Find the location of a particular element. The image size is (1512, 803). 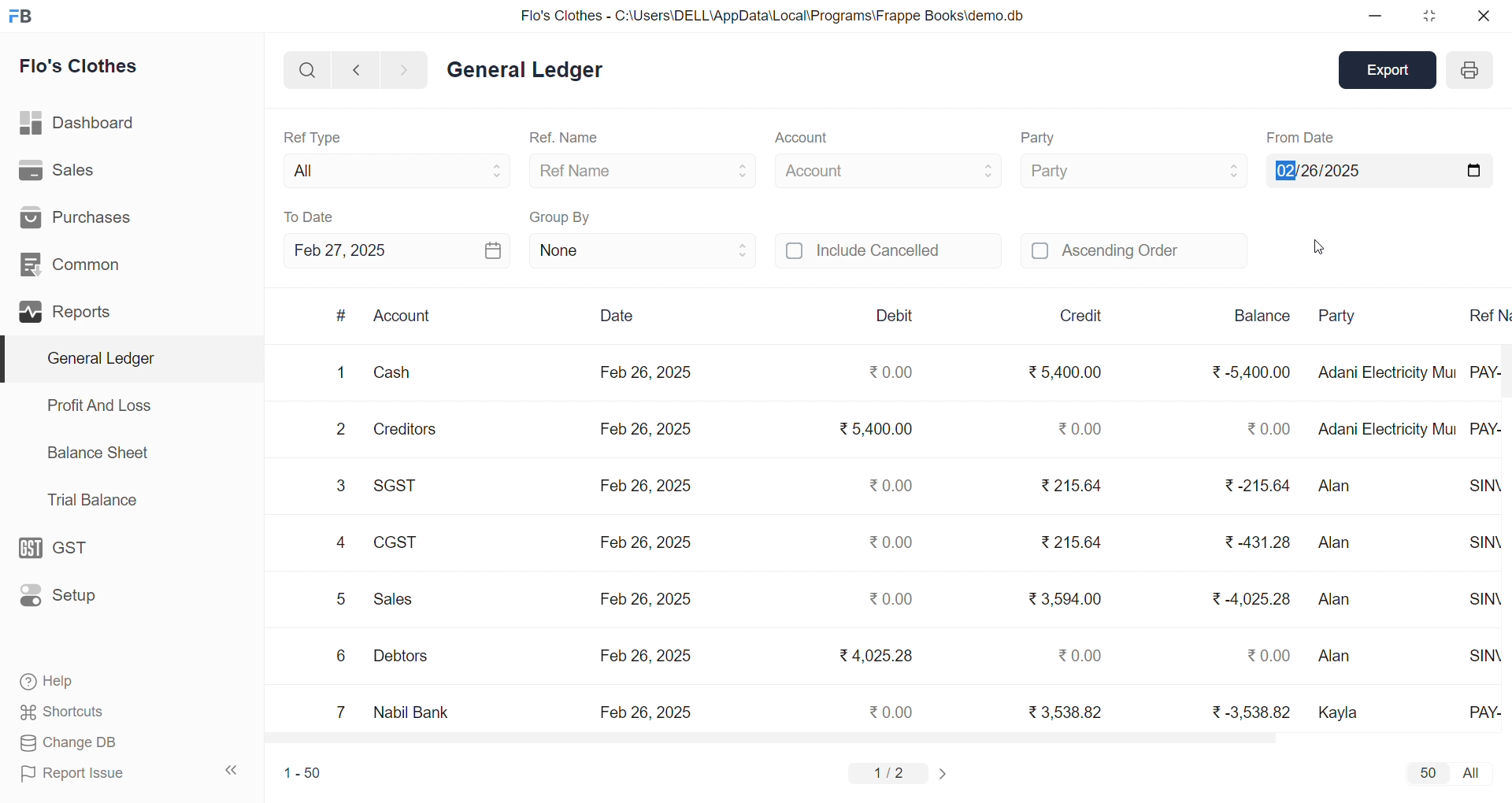

Account is located at coordinates (403, 317).